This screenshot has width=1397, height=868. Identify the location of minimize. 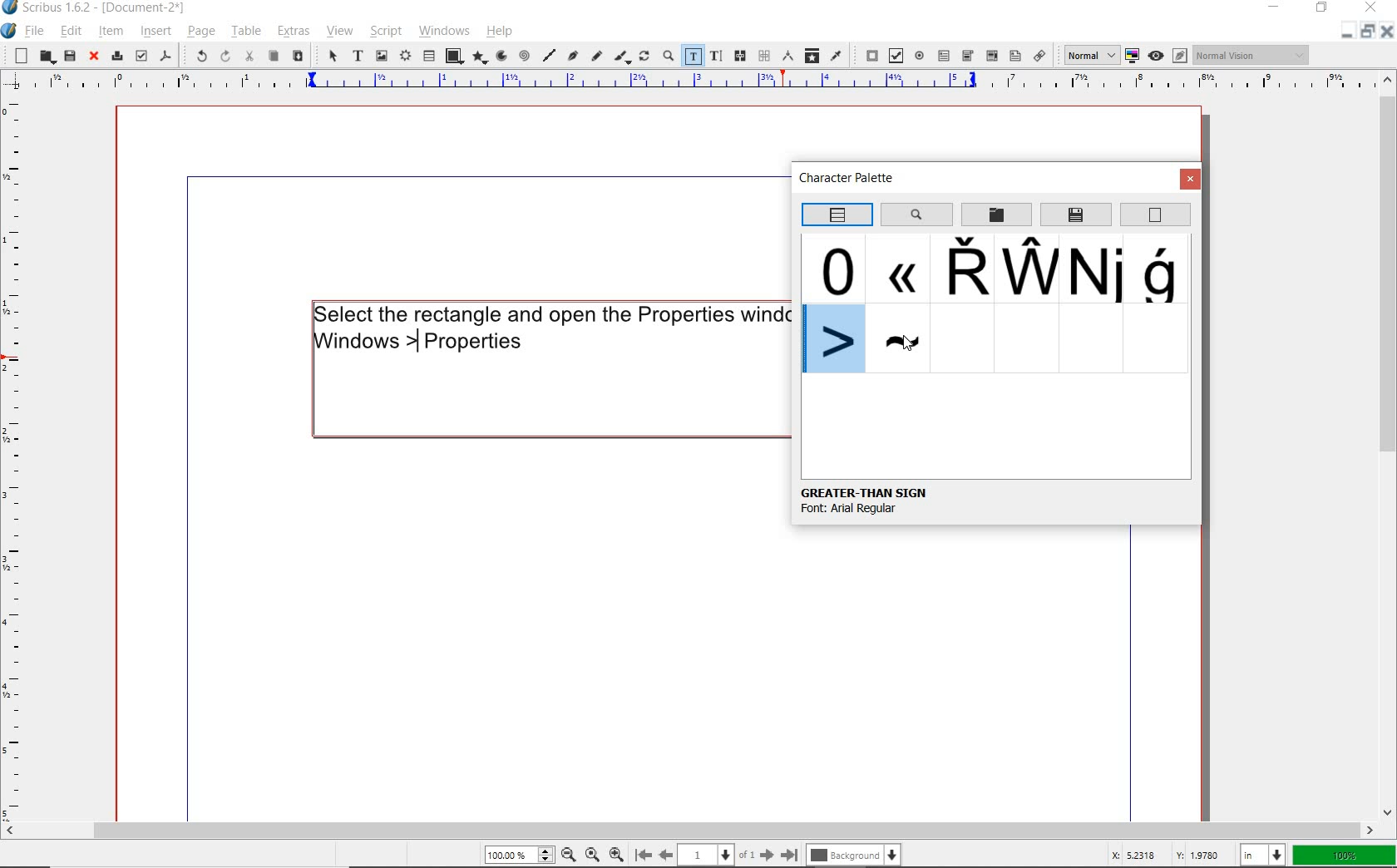
(1276, 6).